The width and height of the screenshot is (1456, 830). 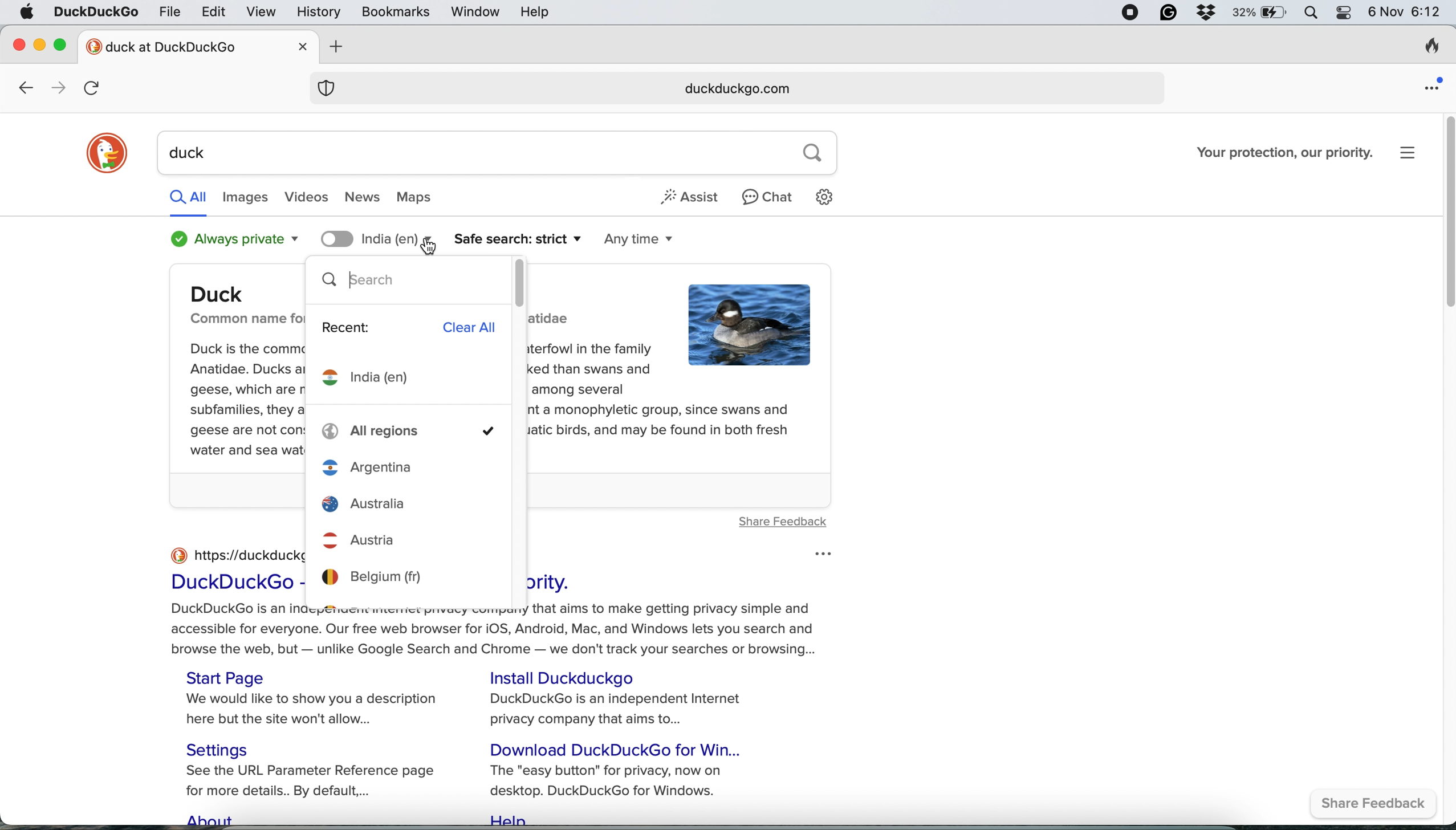 I want to click on system logo, so click(x=26, y=13).